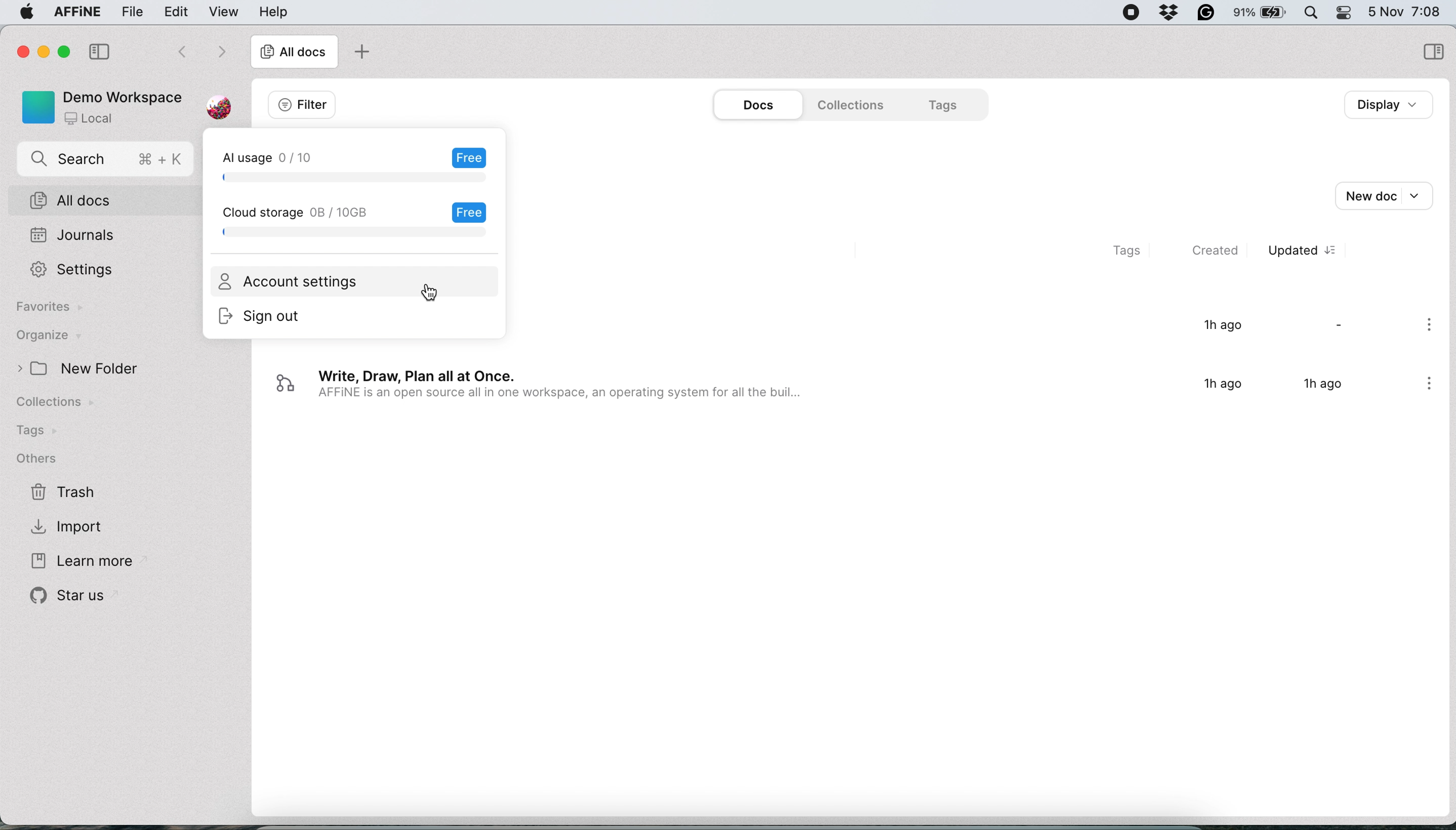 The width and height of the screenshot is (1456, 830). Describe the element at coordinates (944, 104) in the screenshot. I see `tags` at that location.